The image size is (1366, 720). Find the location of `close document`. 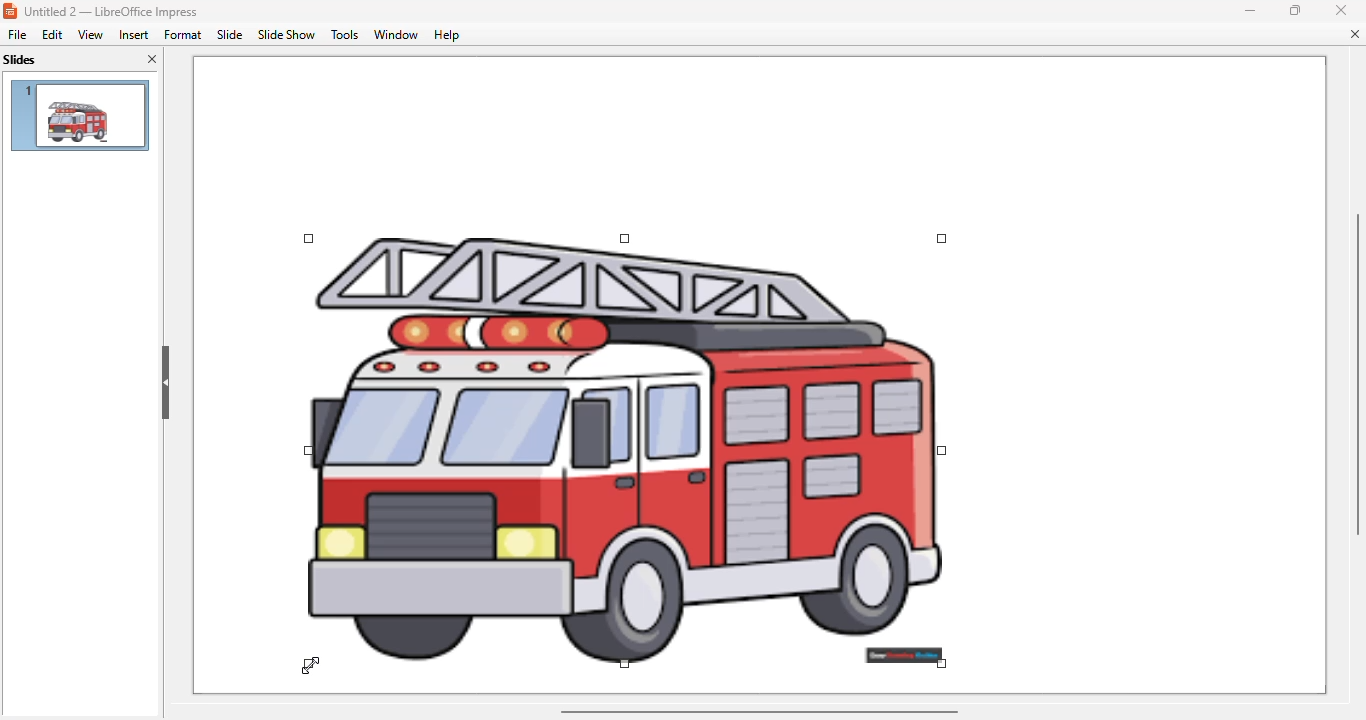

close document is located at coordinates (1357, 34).